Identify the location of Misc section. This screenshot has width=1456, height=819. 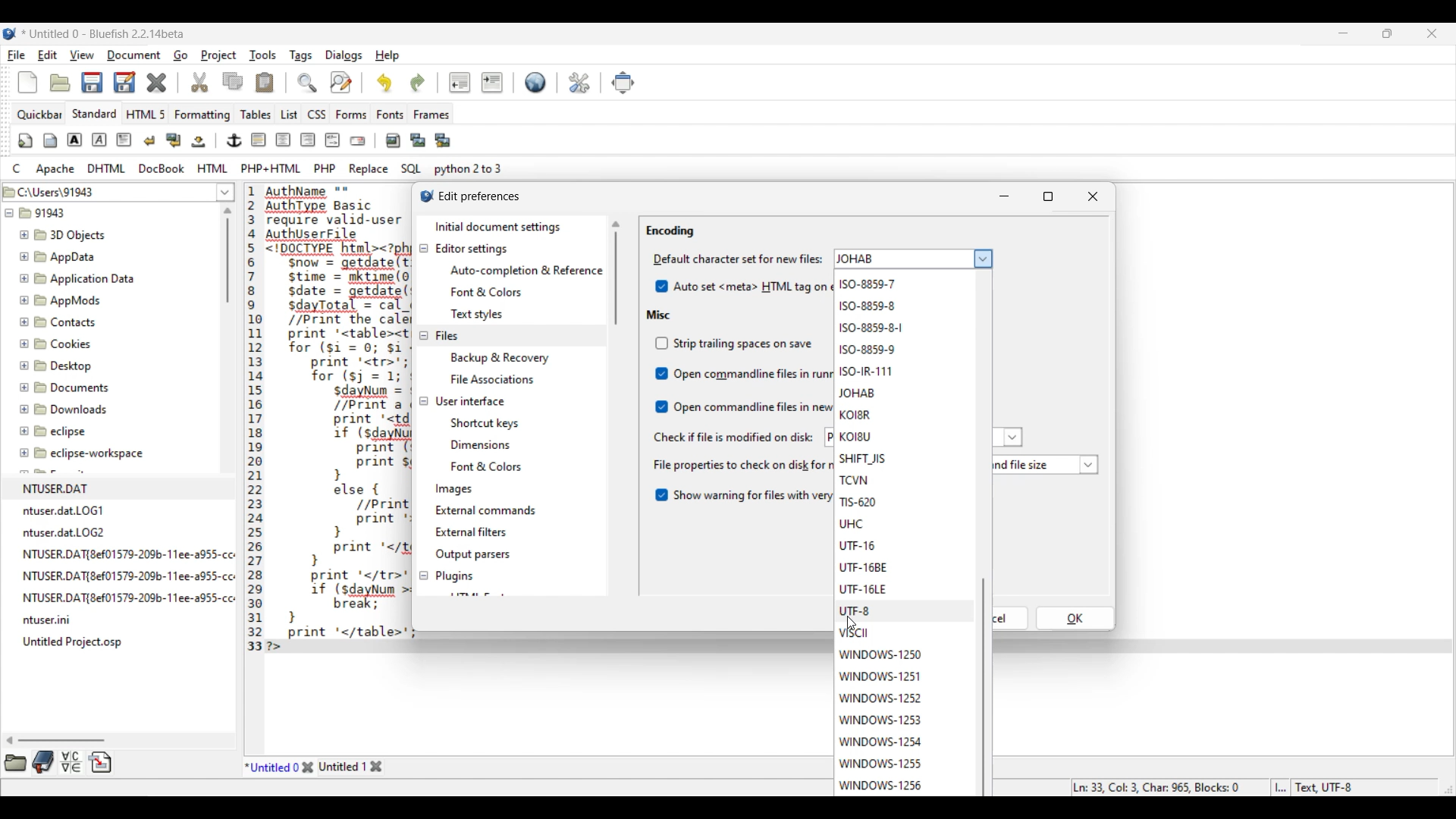
(659, 315).